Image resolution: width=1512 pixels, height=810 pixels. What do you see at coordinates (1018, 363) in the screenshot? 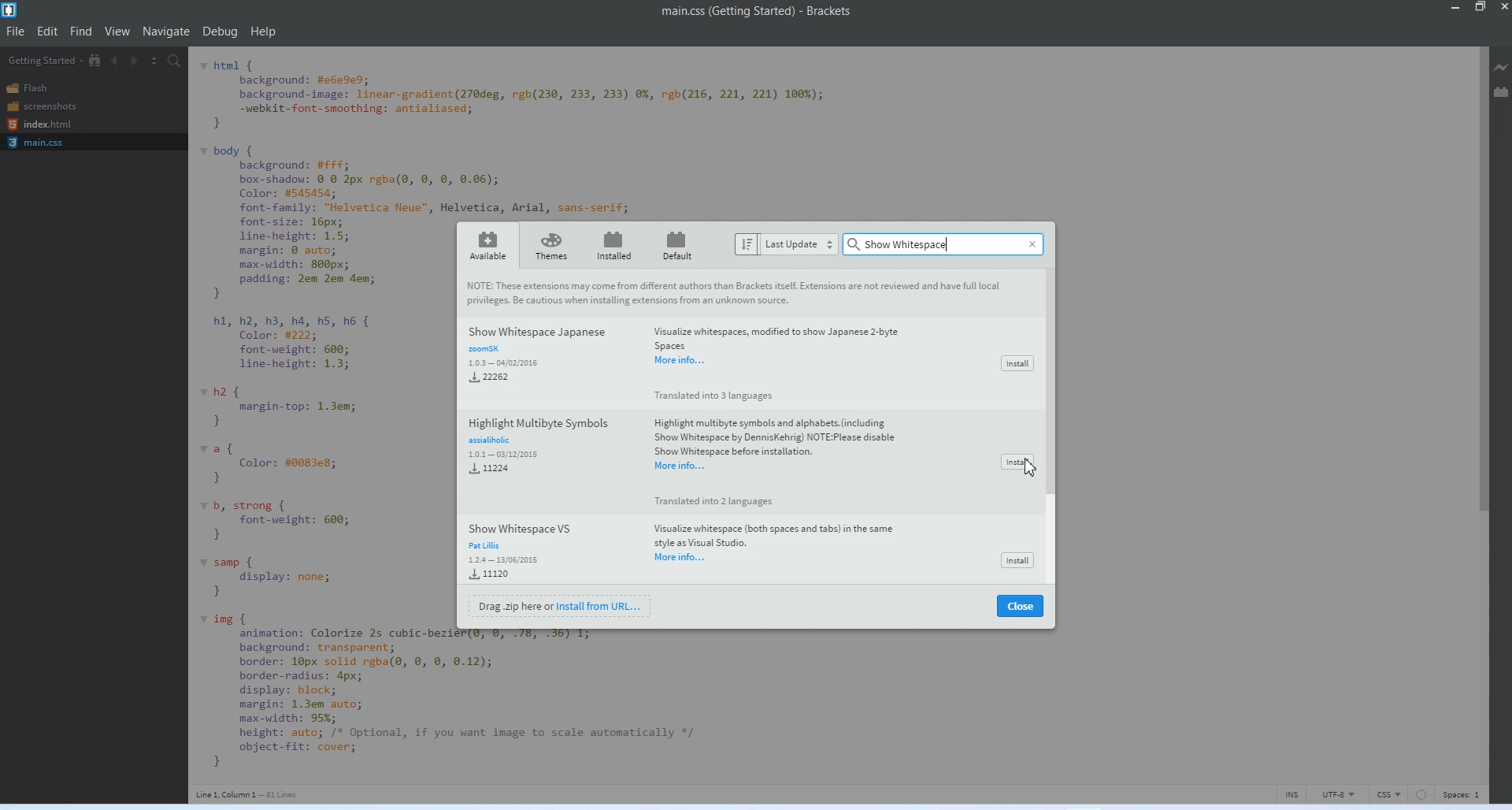
I see `Install` at bounding box center [1018, 363].